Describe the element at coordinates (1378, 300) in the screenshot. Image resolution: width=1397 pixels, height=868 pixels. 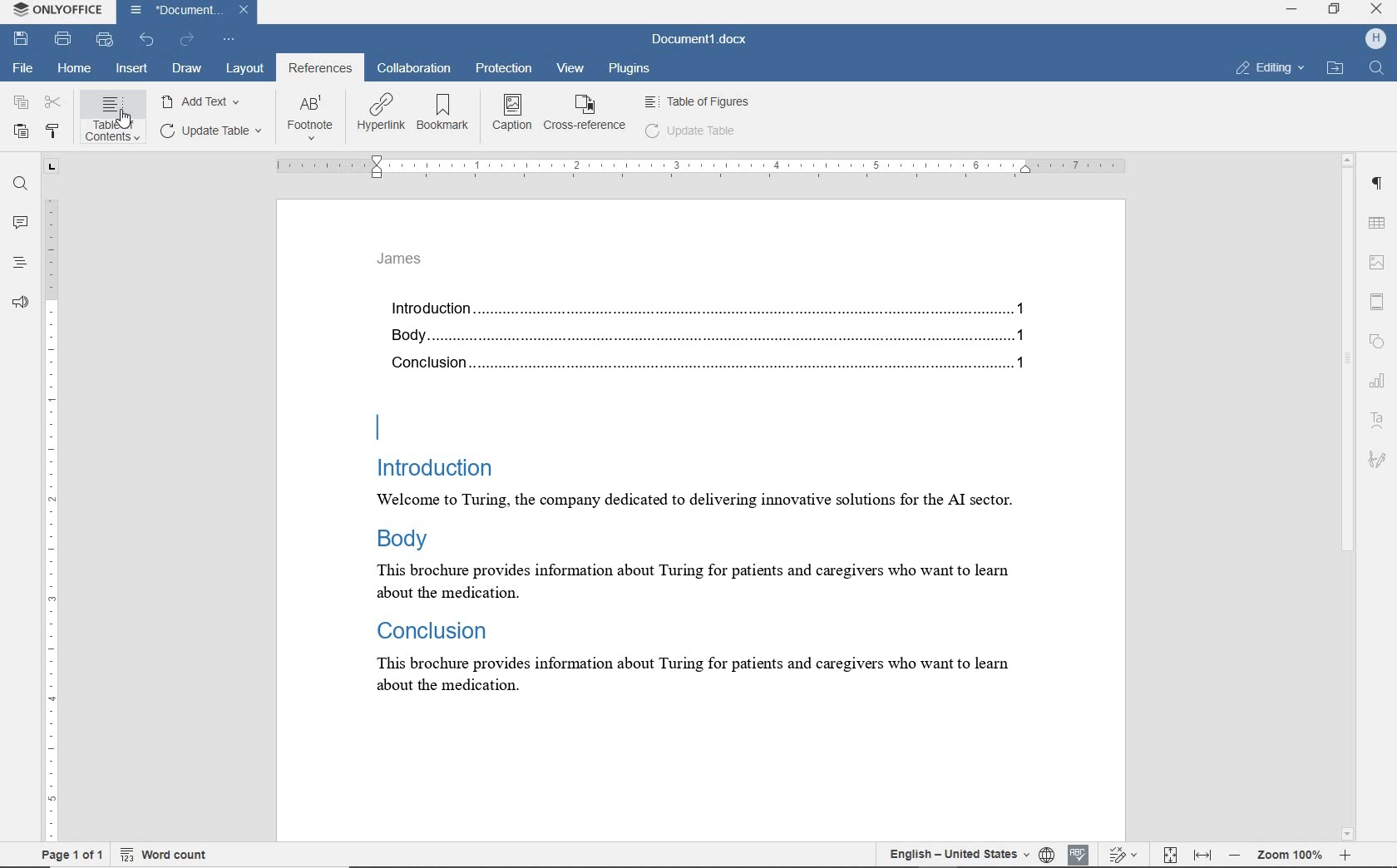
I see `header & footer` at that location.